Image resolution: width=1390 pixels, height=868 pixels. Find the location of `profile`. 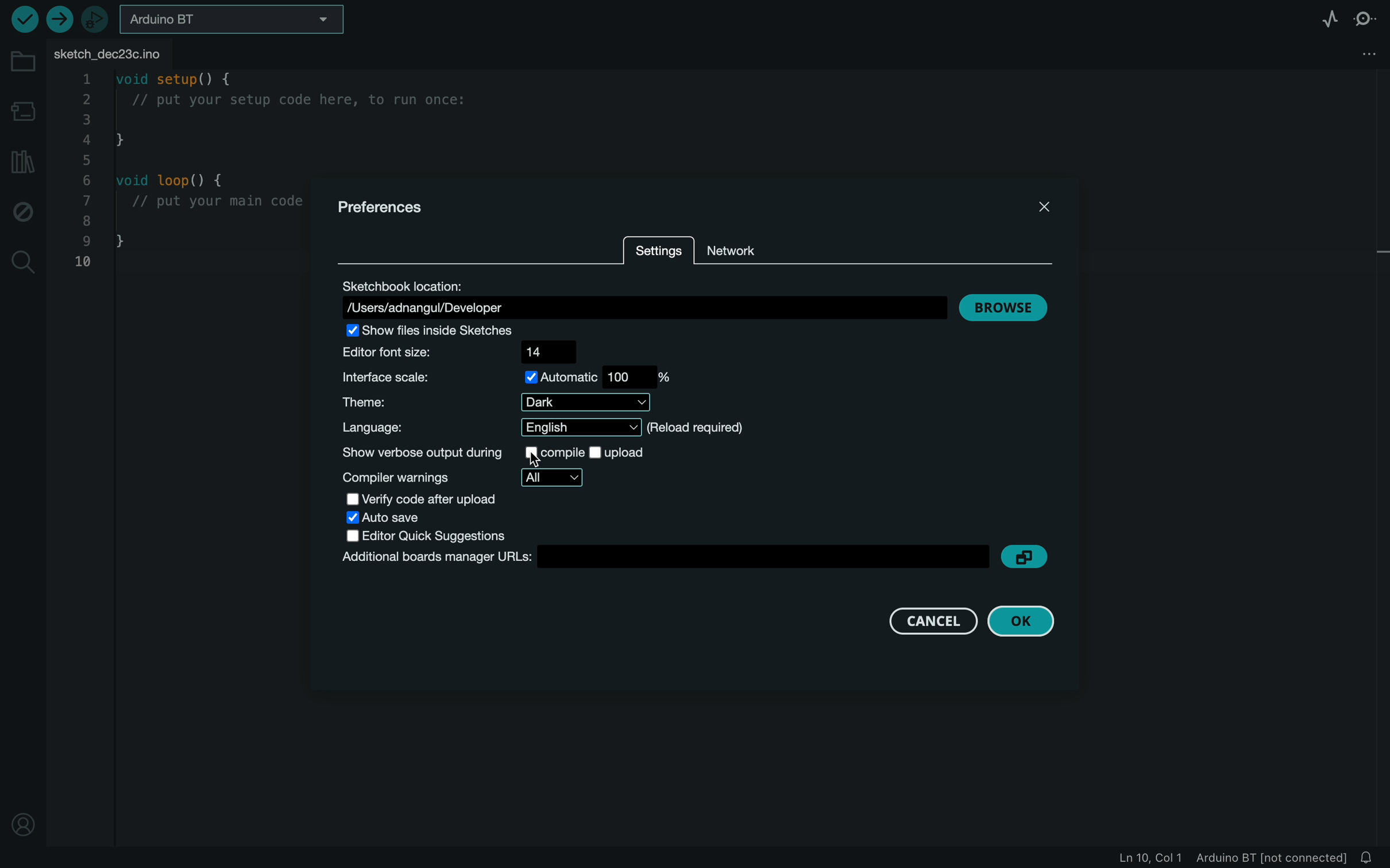

profile is located at coordinates (26, 823).